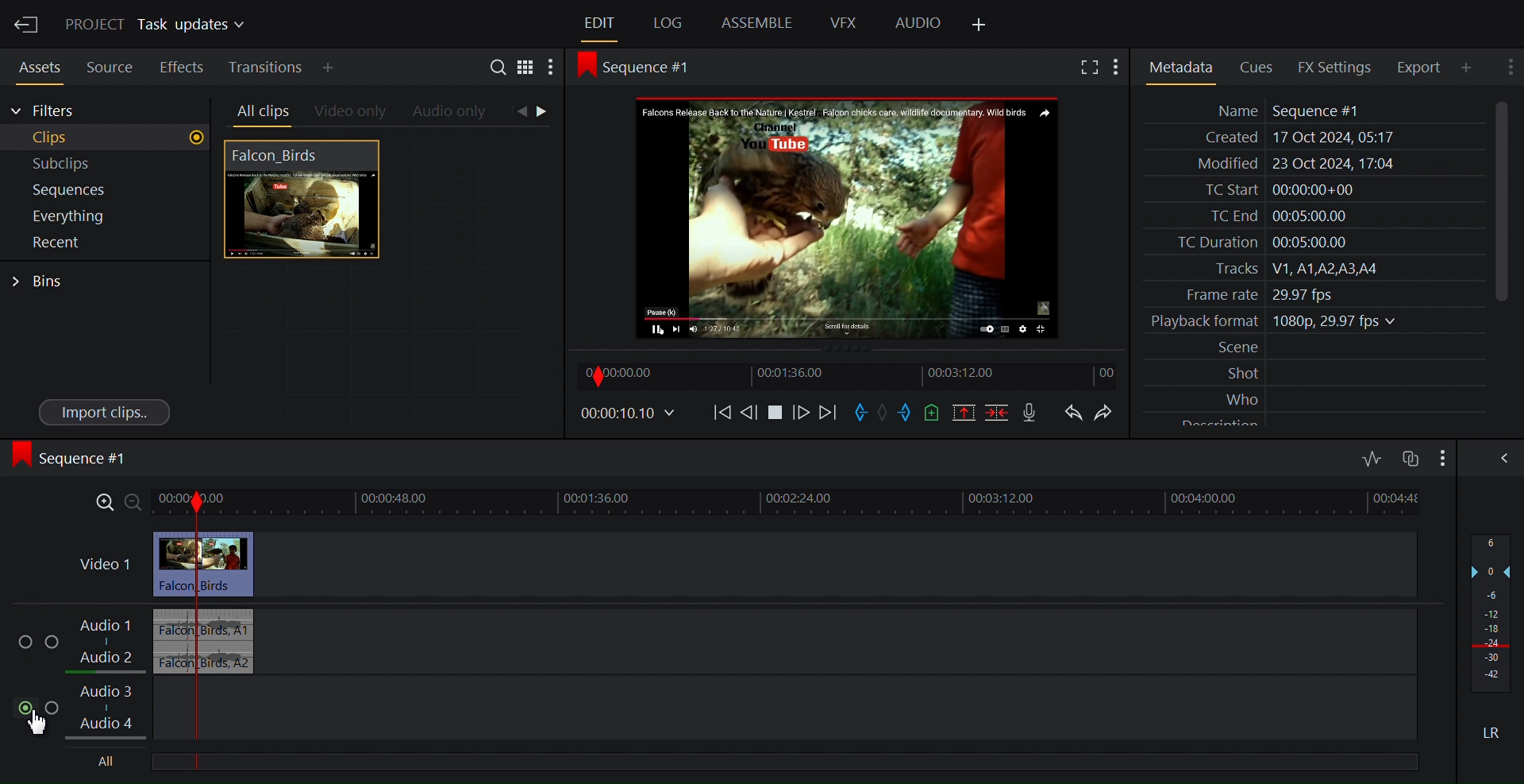 The height and width of the screenshot is (784, 1524). I want to click on Toggle audio track sync, so click(1409, 459).